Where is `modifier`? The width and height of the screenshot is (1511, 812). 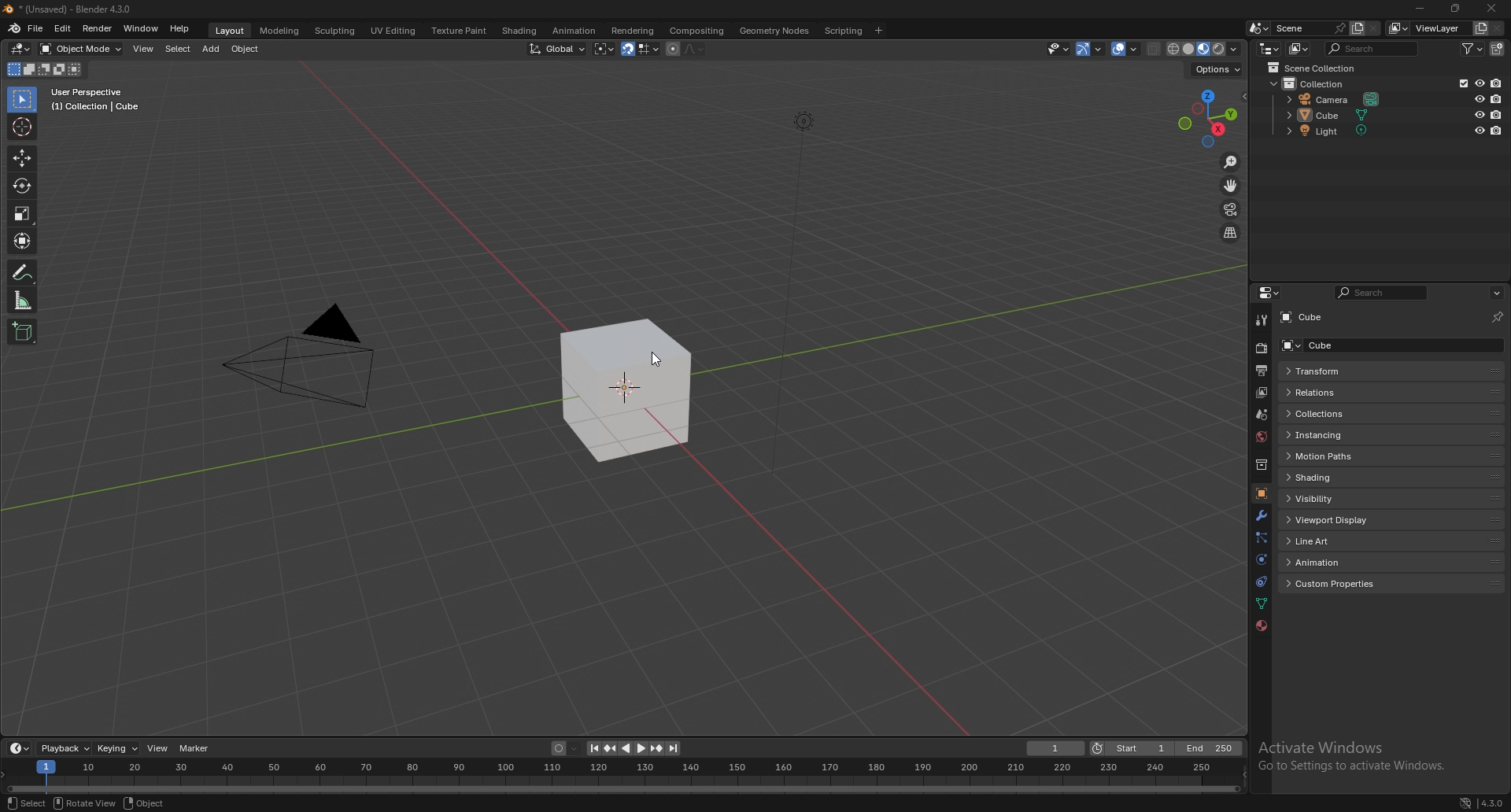 modifier is located at coordinates (1261, 515).